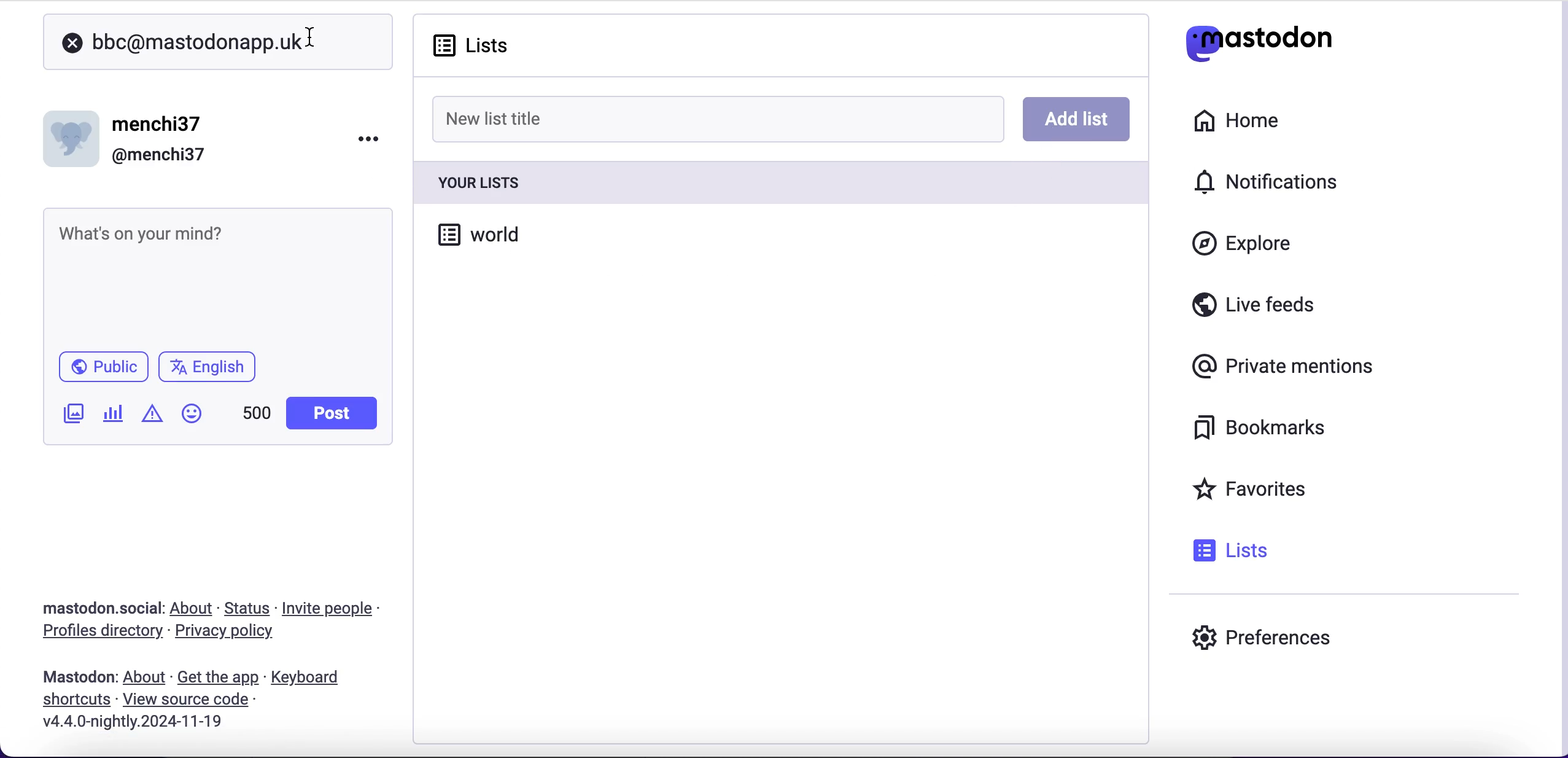 The width and height of the screenshot is (1568, 758). Describe the element at coordinates (1272, 181) in the screenshot. I see `notifications` at that location.